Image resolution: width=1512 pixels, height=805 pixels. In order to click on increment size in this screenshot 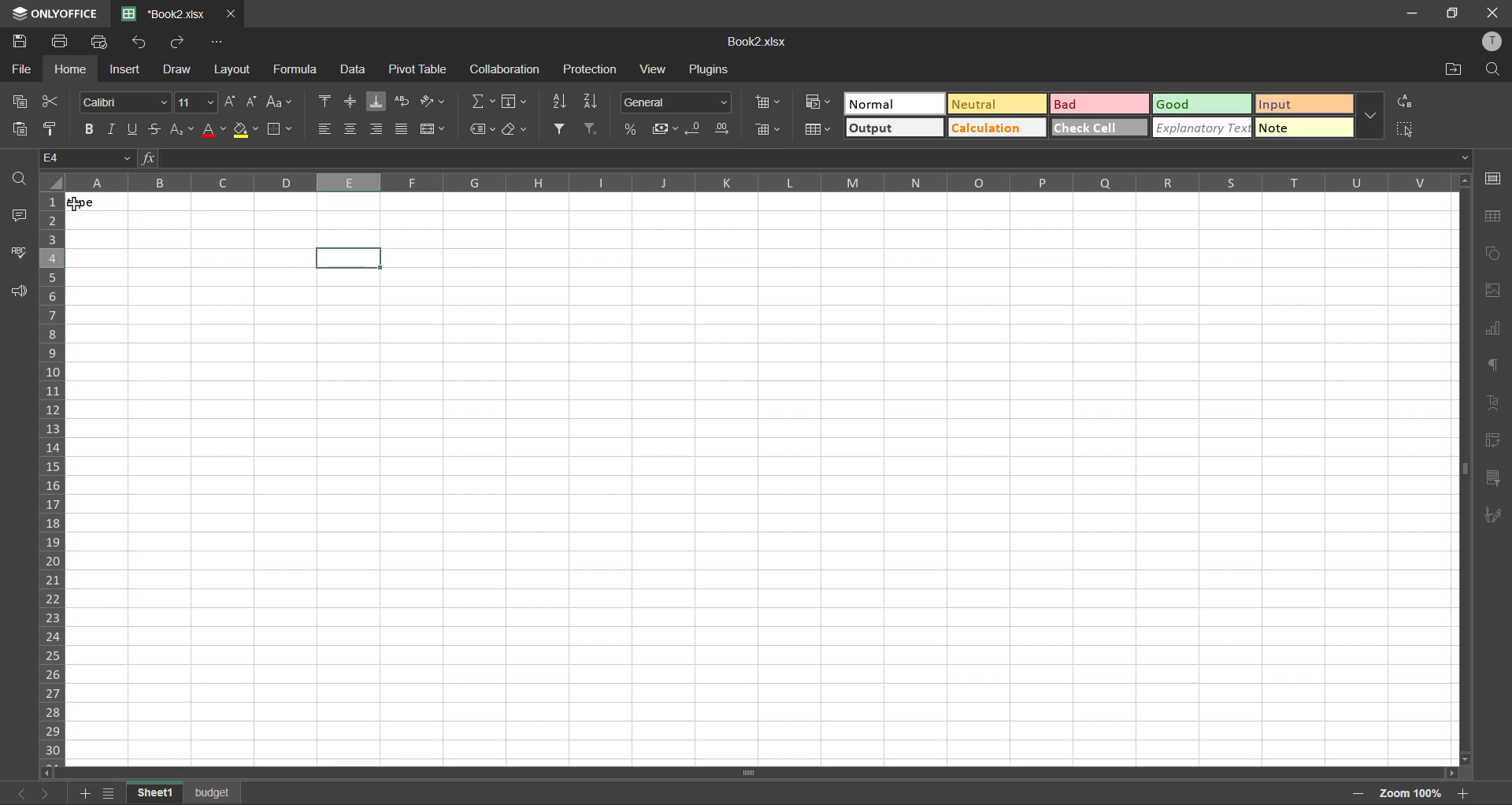, I will do `click(231, 101)`.